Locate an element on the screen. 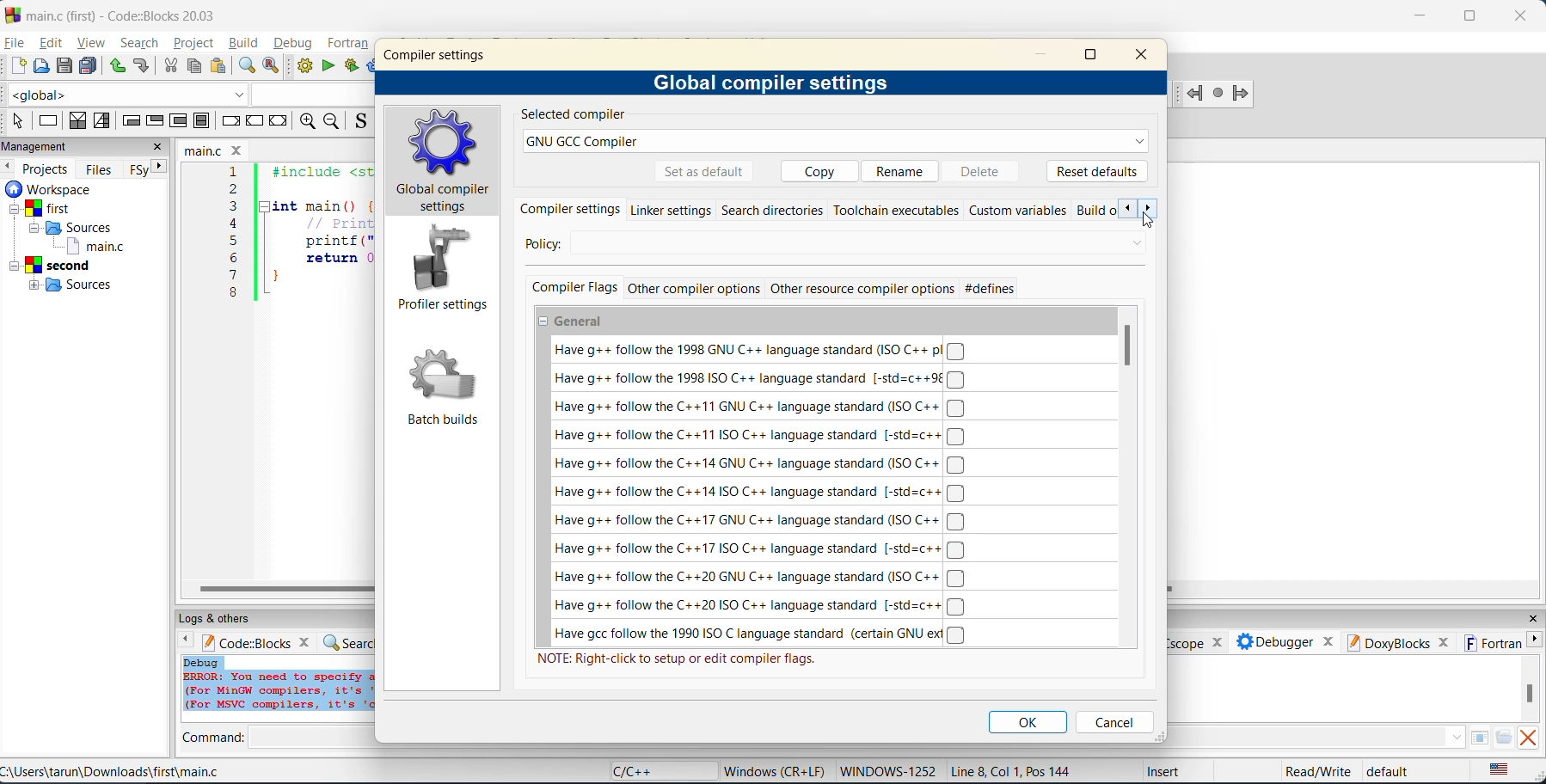  toolchain executables is located at coordinates (896, 210).